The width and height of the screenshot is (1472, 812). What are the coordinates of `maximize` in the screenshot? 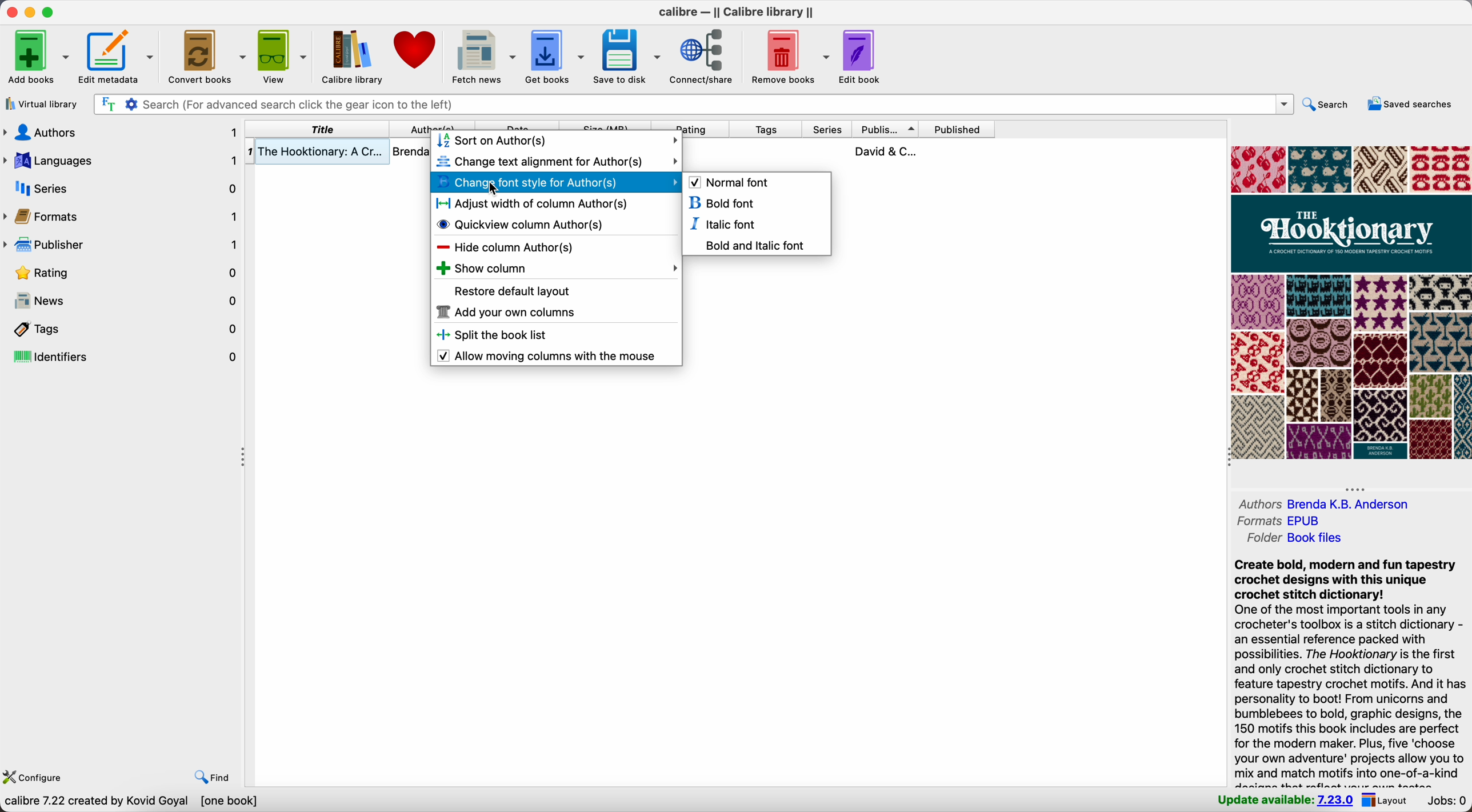 It's located at (49, 11).